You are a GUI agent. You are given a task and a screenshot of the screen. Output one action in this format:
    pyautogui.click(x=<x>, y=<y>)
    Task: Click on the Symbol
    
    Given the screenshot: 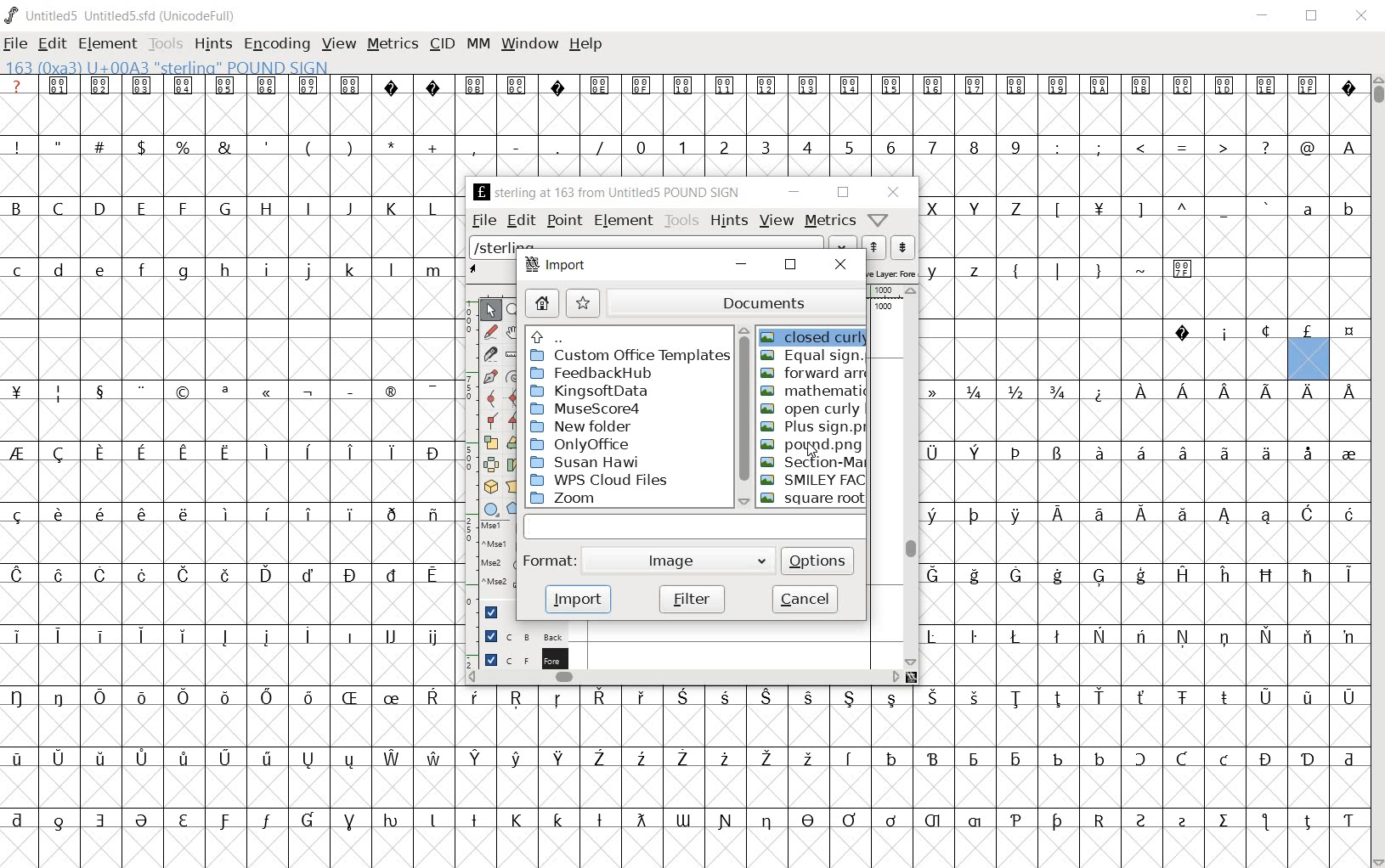 What is the action you would take?
    pyautogui.click(x=224, y=392)
    